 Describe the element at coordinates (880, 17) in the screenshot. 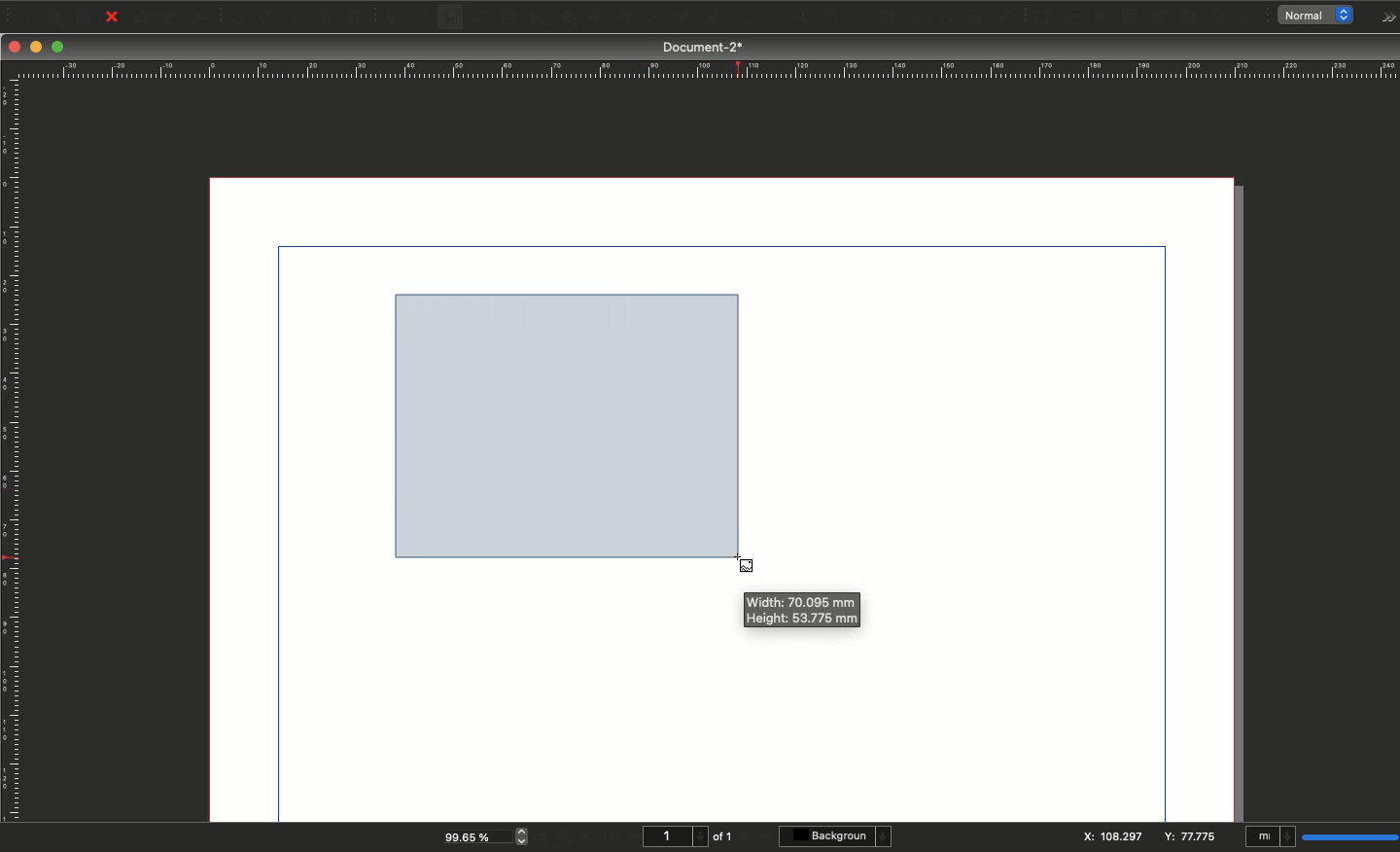

I see `Link text frames` at that location.